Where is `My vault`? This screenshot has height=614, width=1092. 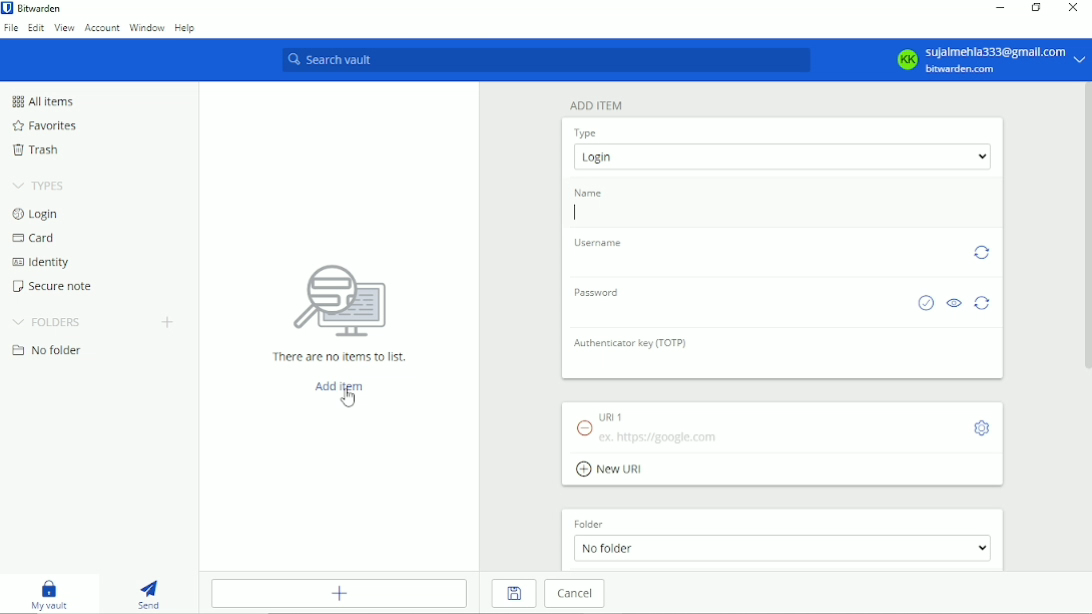
My vault is located at coordinates (49, 594).